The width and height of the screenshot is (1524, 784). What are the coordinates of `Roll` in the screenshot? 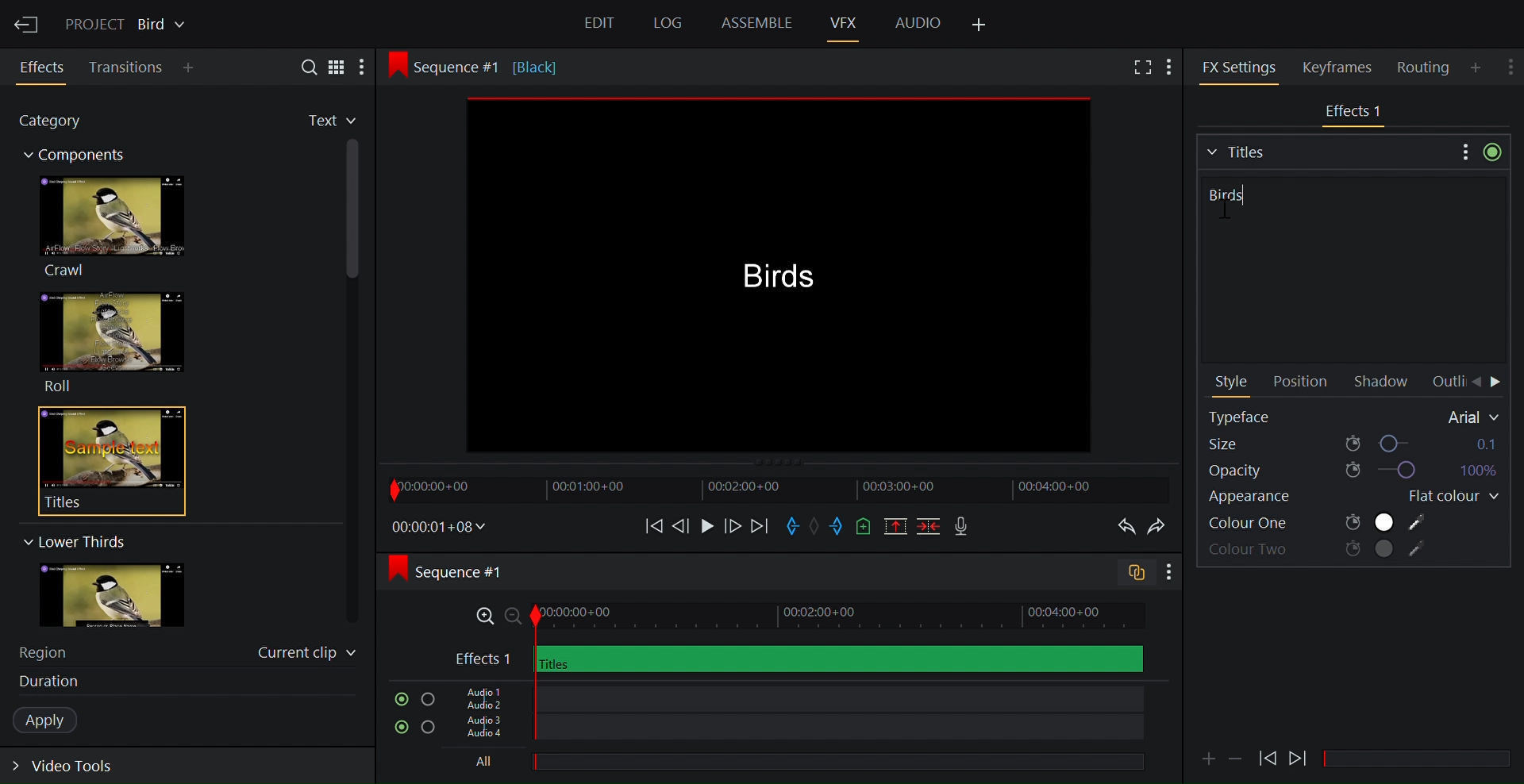 It's located at (111, 342).